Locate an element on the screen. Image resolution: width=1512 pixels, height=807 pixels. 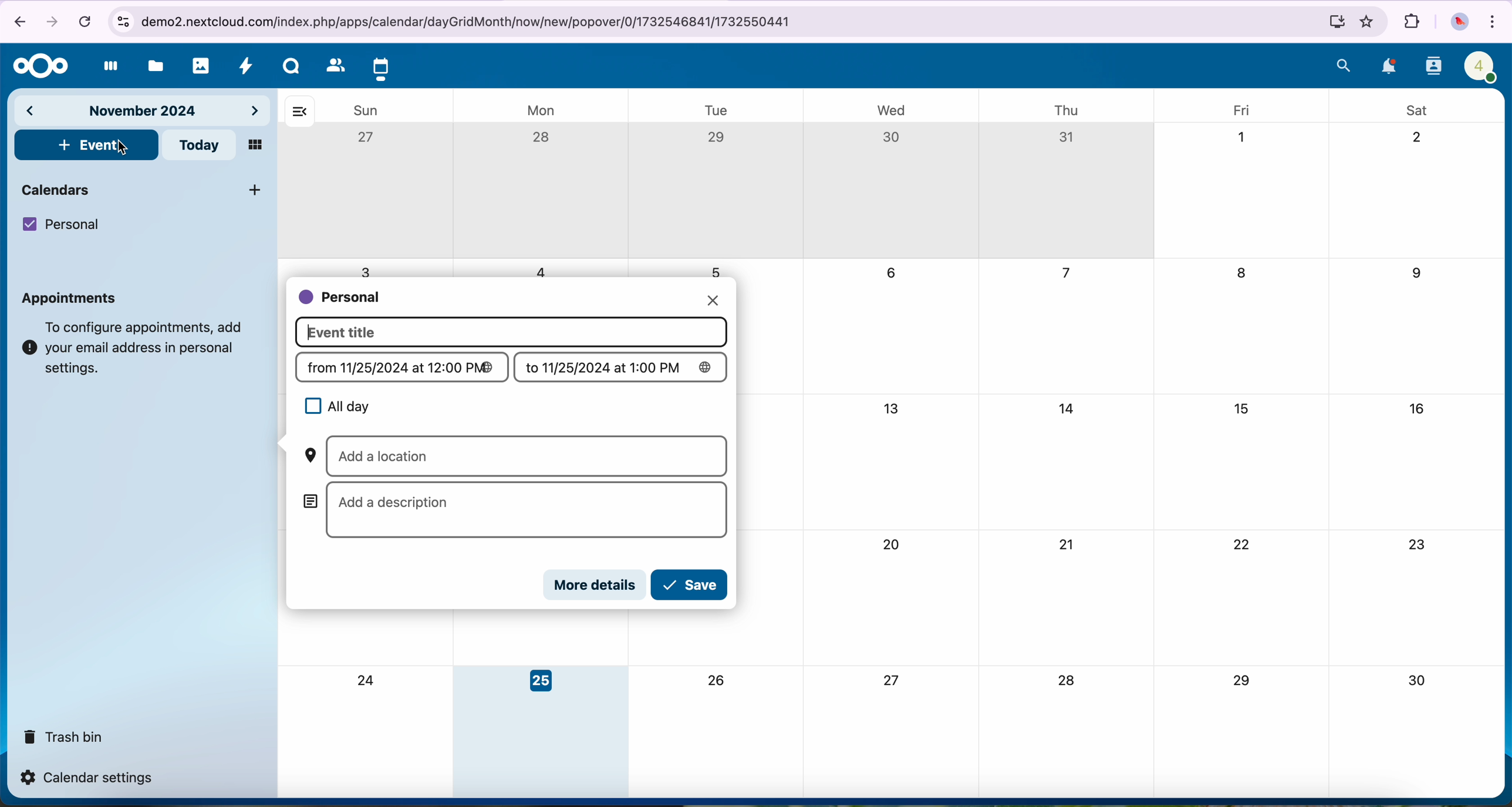
all dat is located at coordinates (335, 407).